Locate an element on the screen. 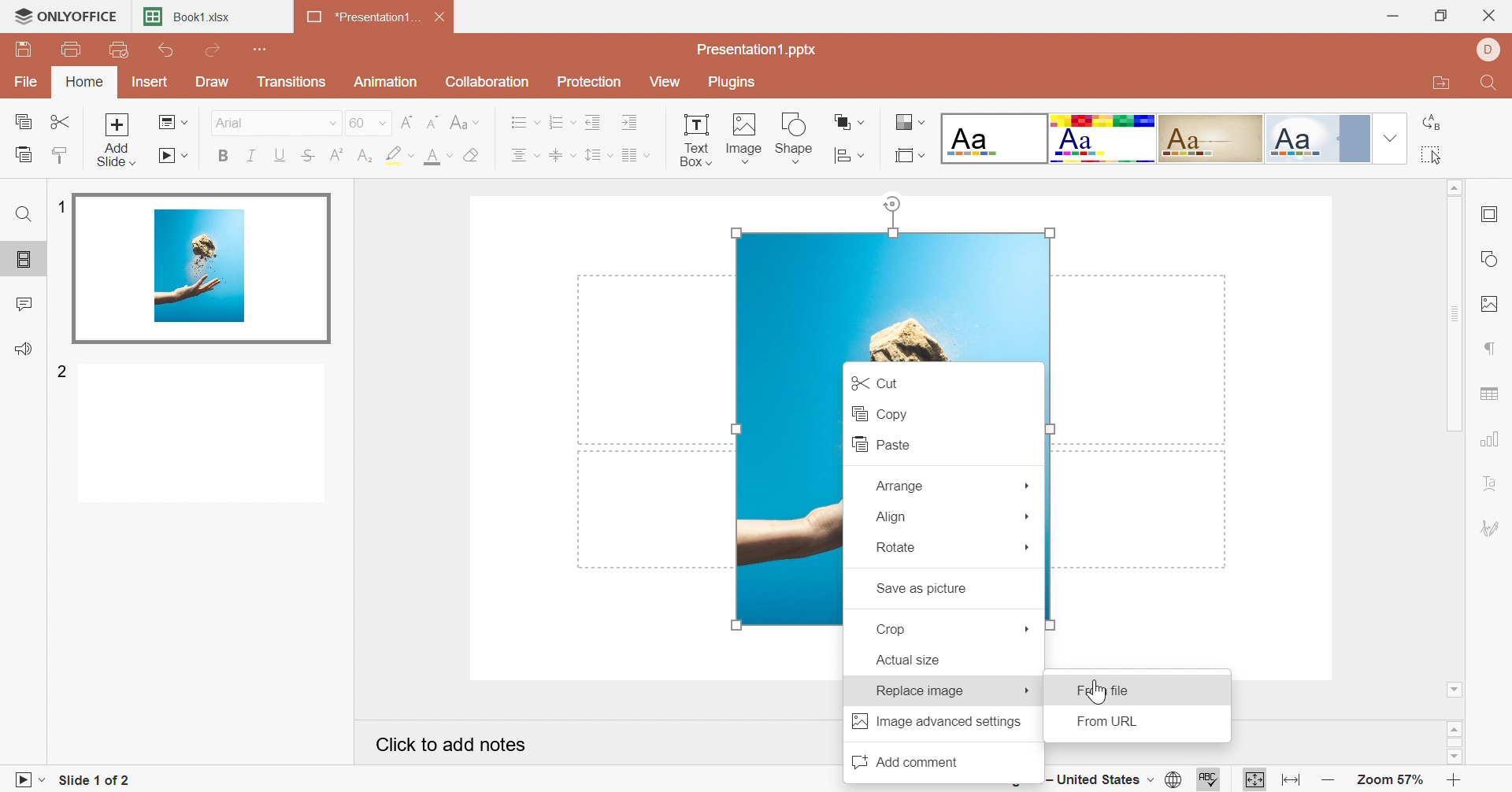  Undo is located at coordinates (168, 51).